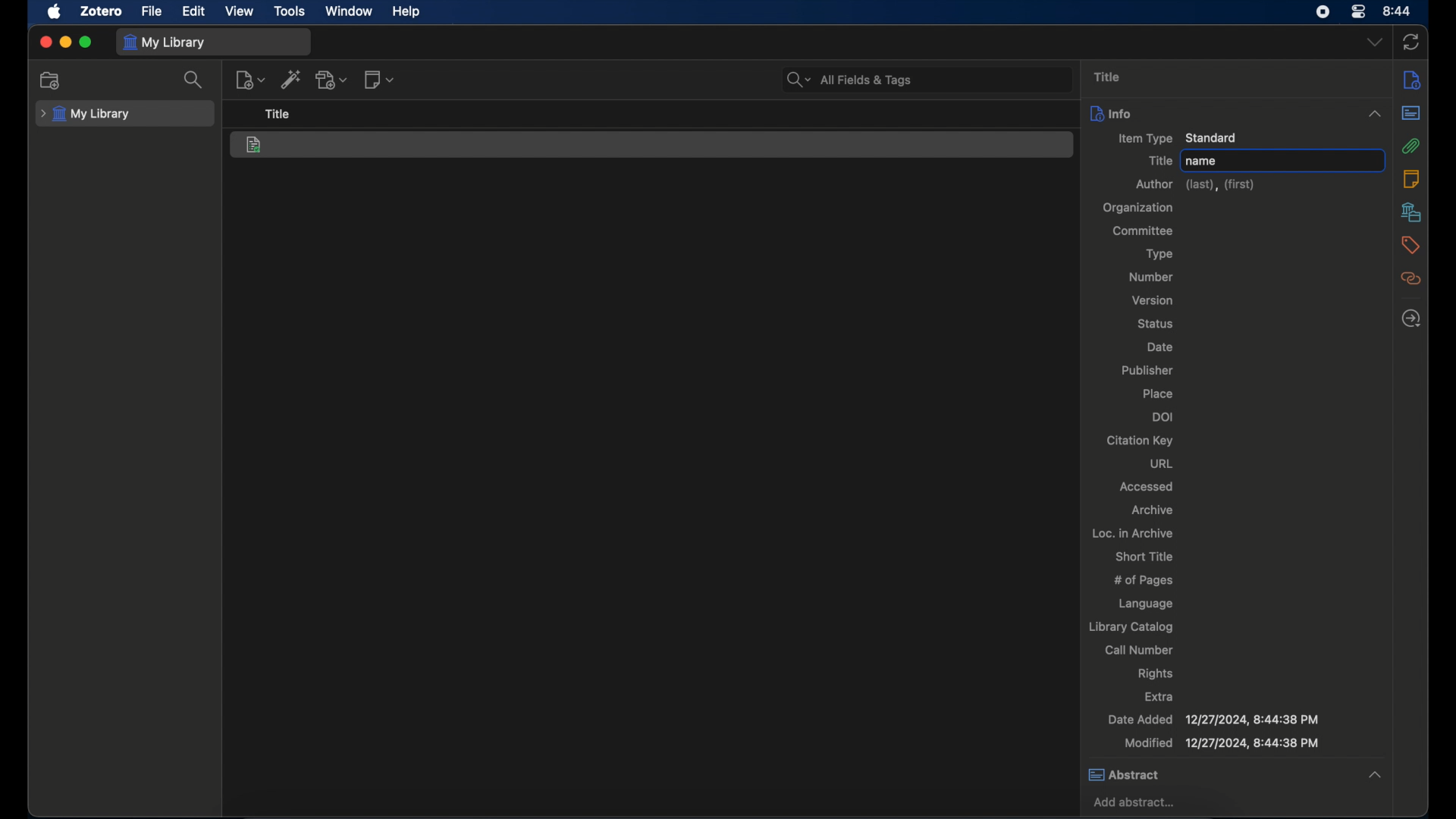 Image resolution: width=1456 pixels, height=819 pixels. I want to click on version, so click(1151, 300).